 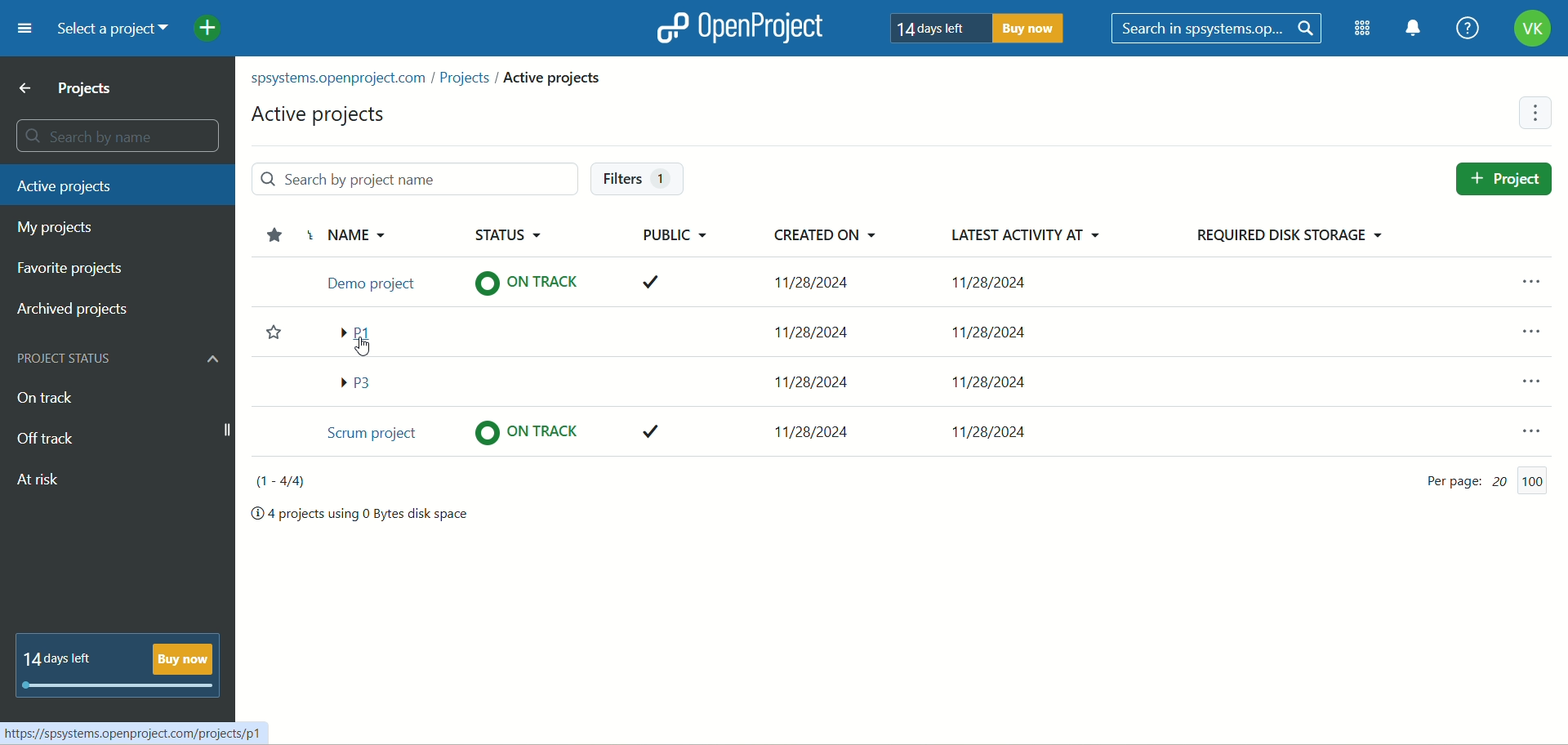 What do you see at coordinates (1507, 178) in the screenshot?
I see `project` at bounding box center [1507, 178].